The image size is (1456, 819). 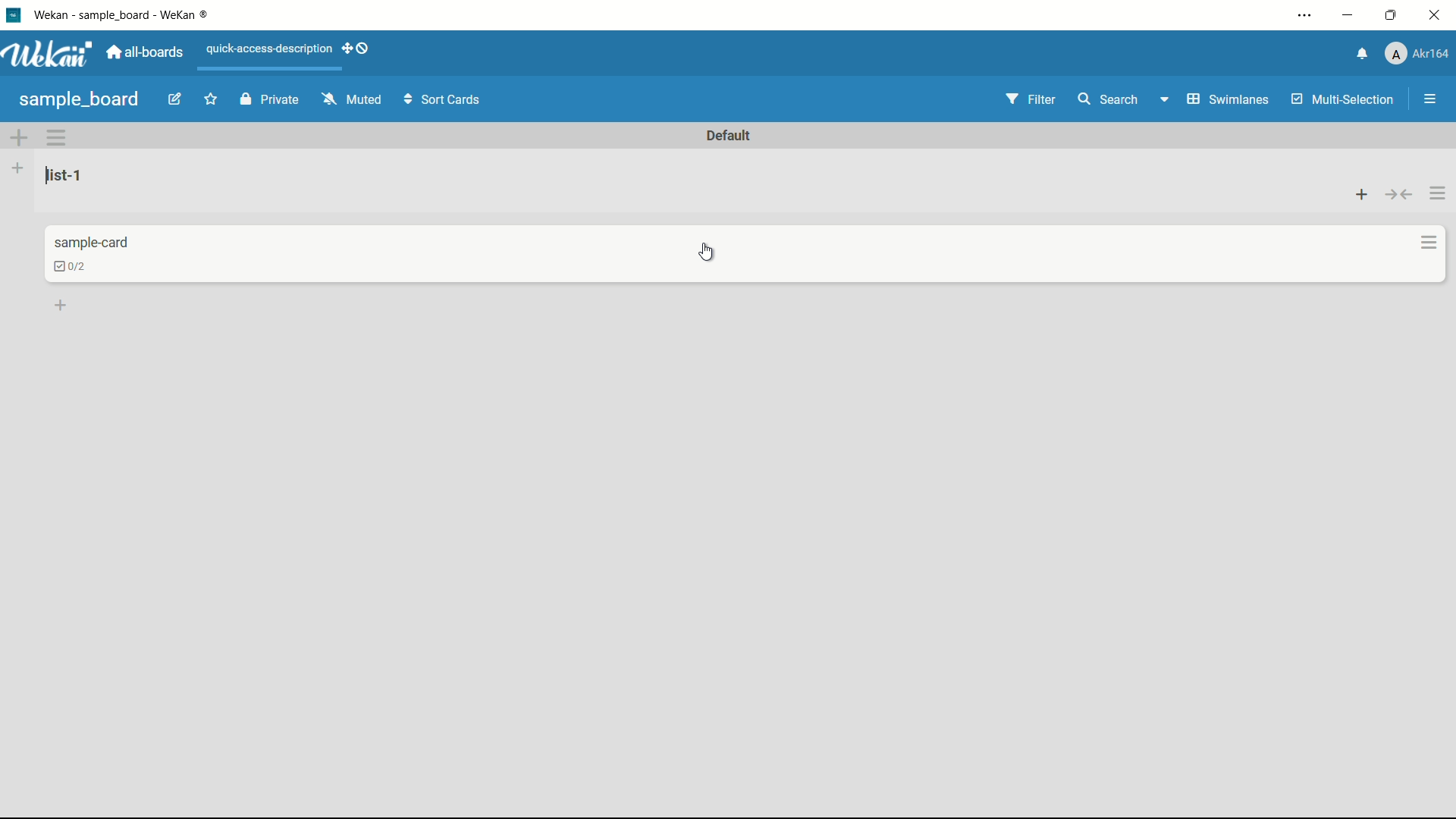 I want to click on minimize, so click(x=1350, y=15).